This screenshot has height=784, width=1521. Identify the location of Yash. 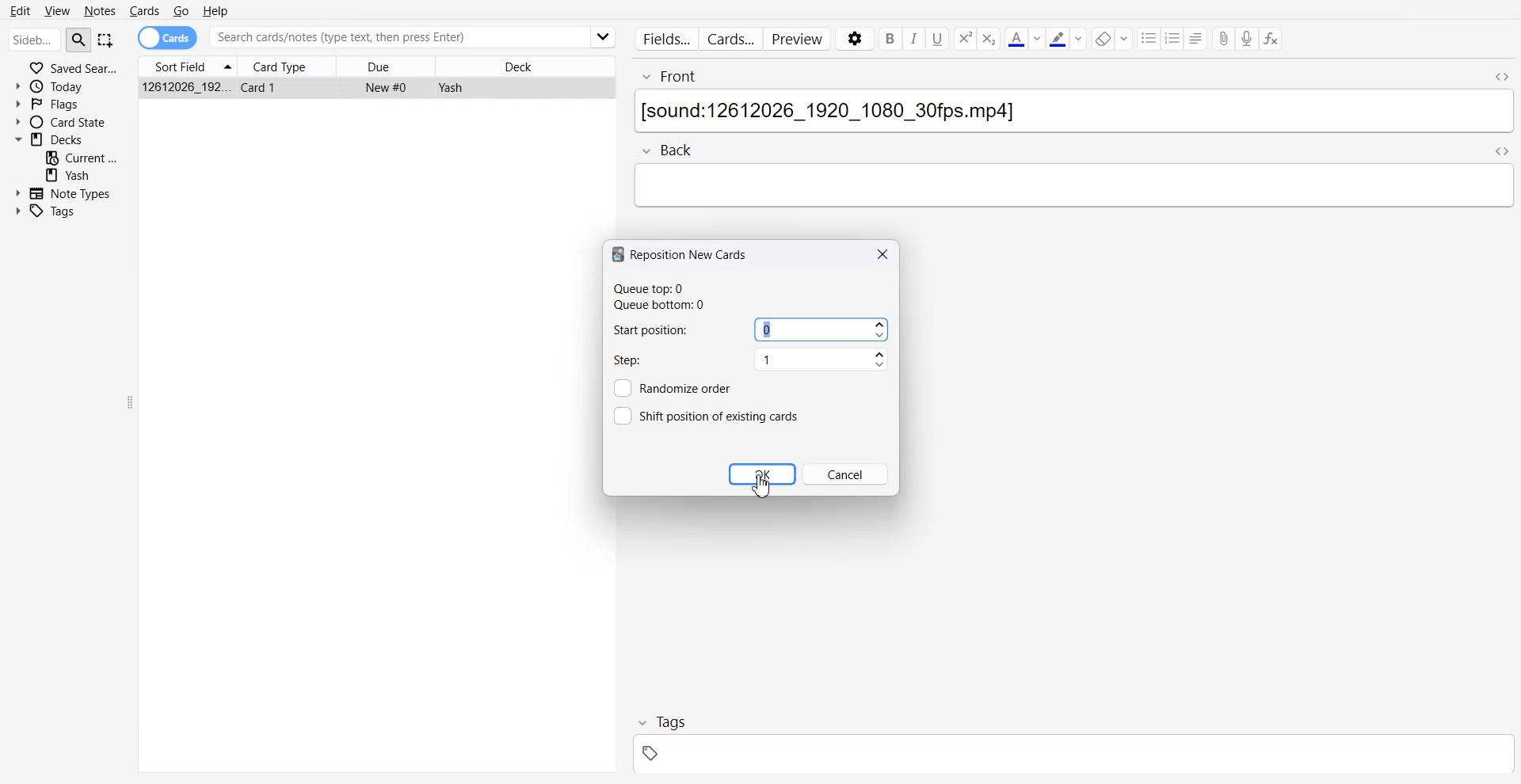
(449, 88).